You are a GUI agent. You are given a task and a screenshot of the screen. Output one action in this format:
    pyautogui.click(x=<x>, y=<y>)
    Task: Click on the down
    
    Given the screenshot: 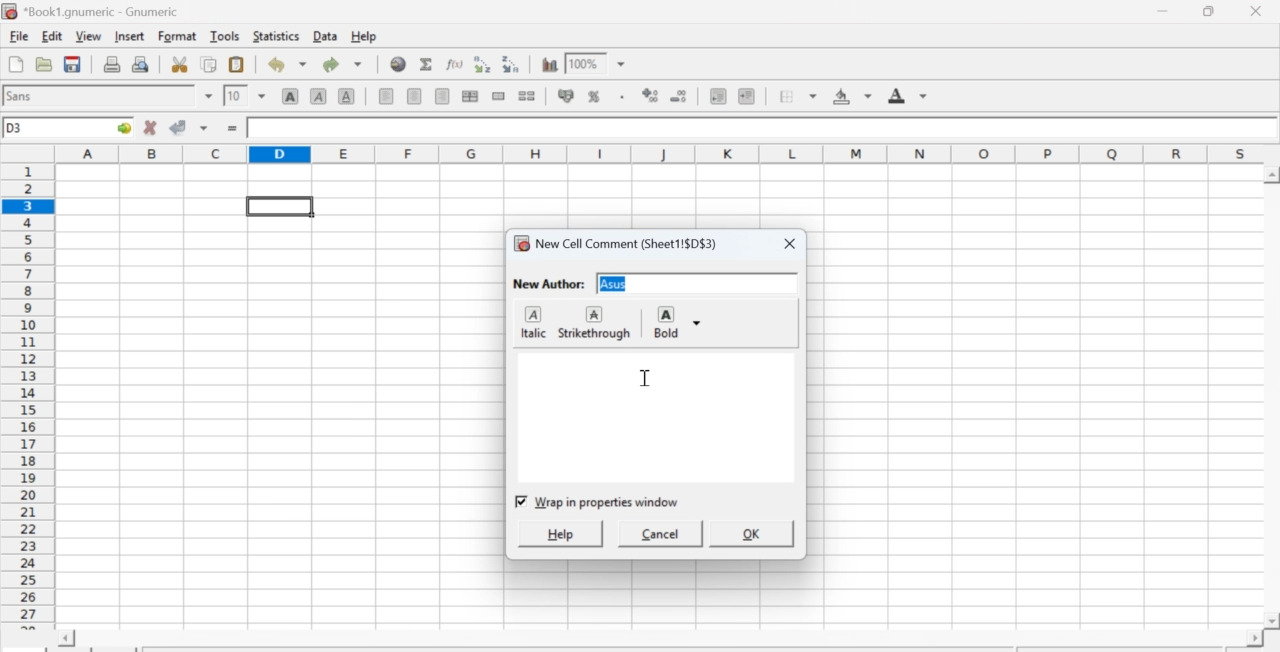 What is the action you would take?
    pyautogui.click(x=207, y=96)
    